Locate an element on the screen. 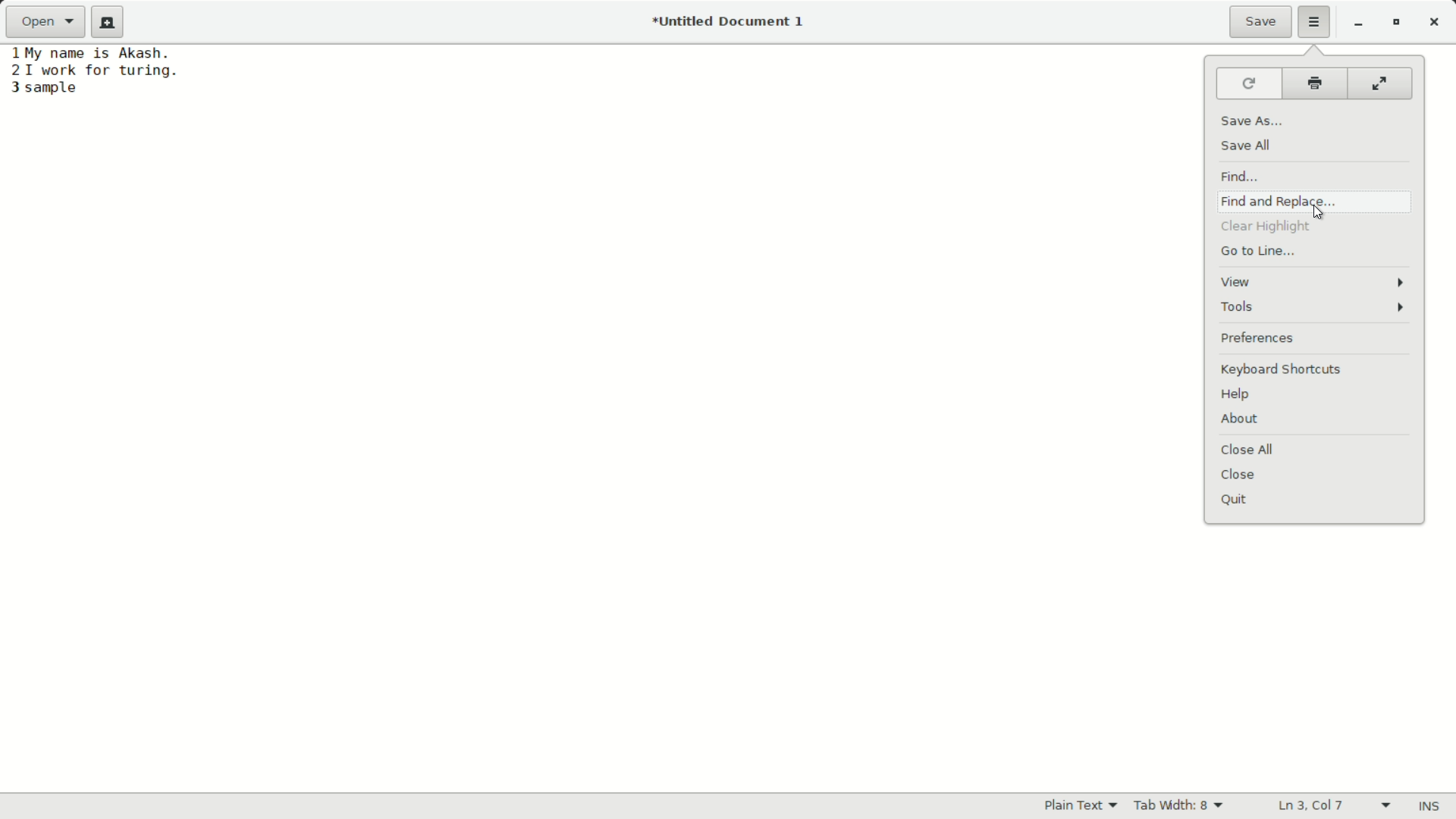 This screenshot has width=1456, height=819. reload is located at coordinates (1244, 86).